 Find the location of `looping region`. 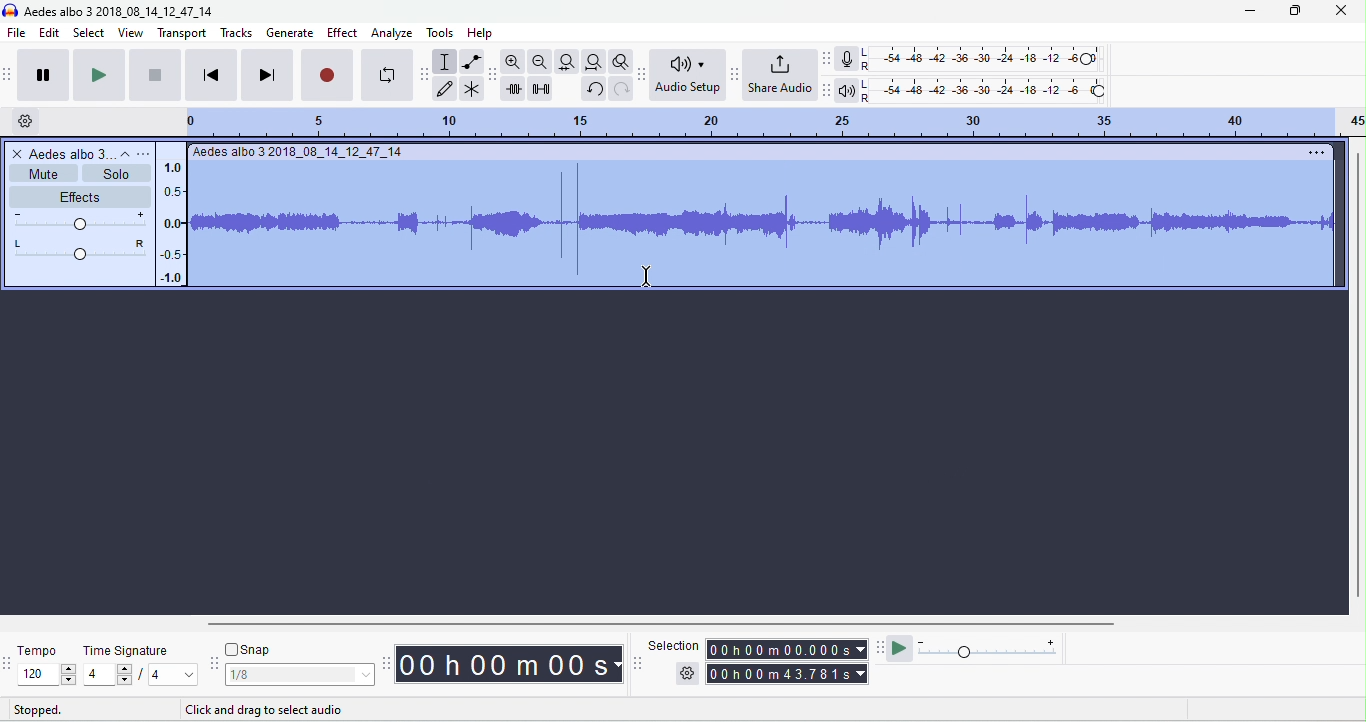

looping region is located at coordinates (775, 125).